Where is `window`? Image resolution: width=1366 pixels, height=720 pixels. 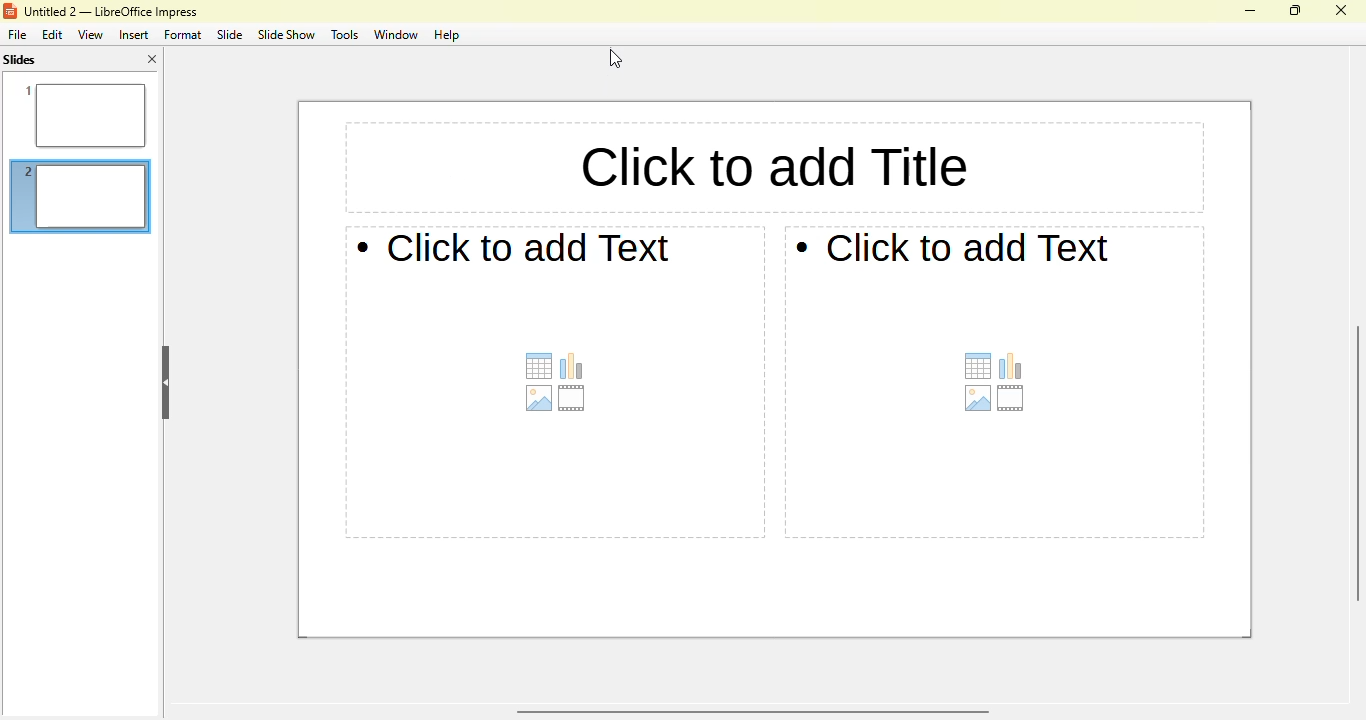 window is located at coordinates (395, 35).